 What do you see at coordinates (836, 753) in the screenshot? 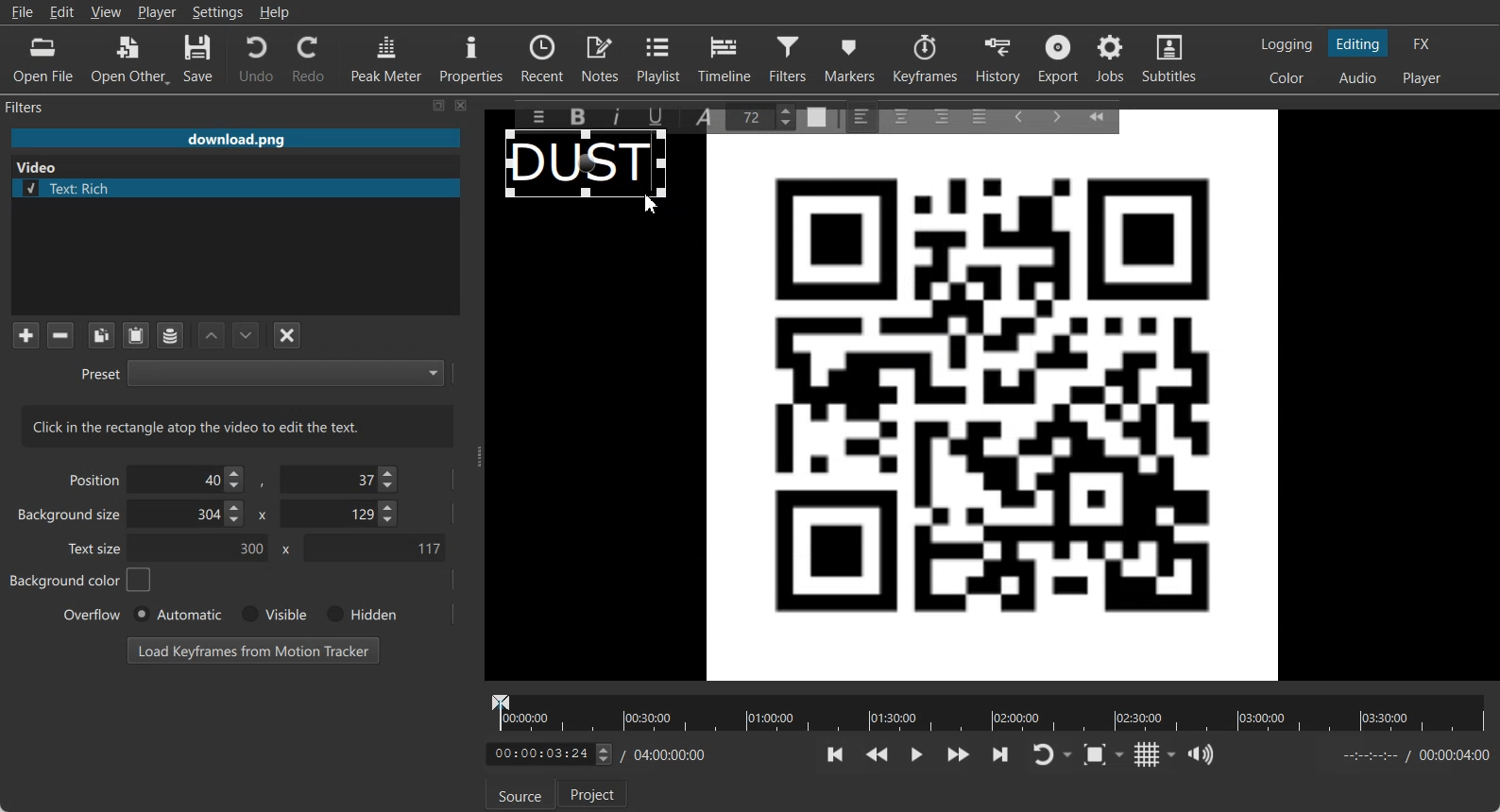
I see `Skip to the previous point` at bounding box center [836, 753].